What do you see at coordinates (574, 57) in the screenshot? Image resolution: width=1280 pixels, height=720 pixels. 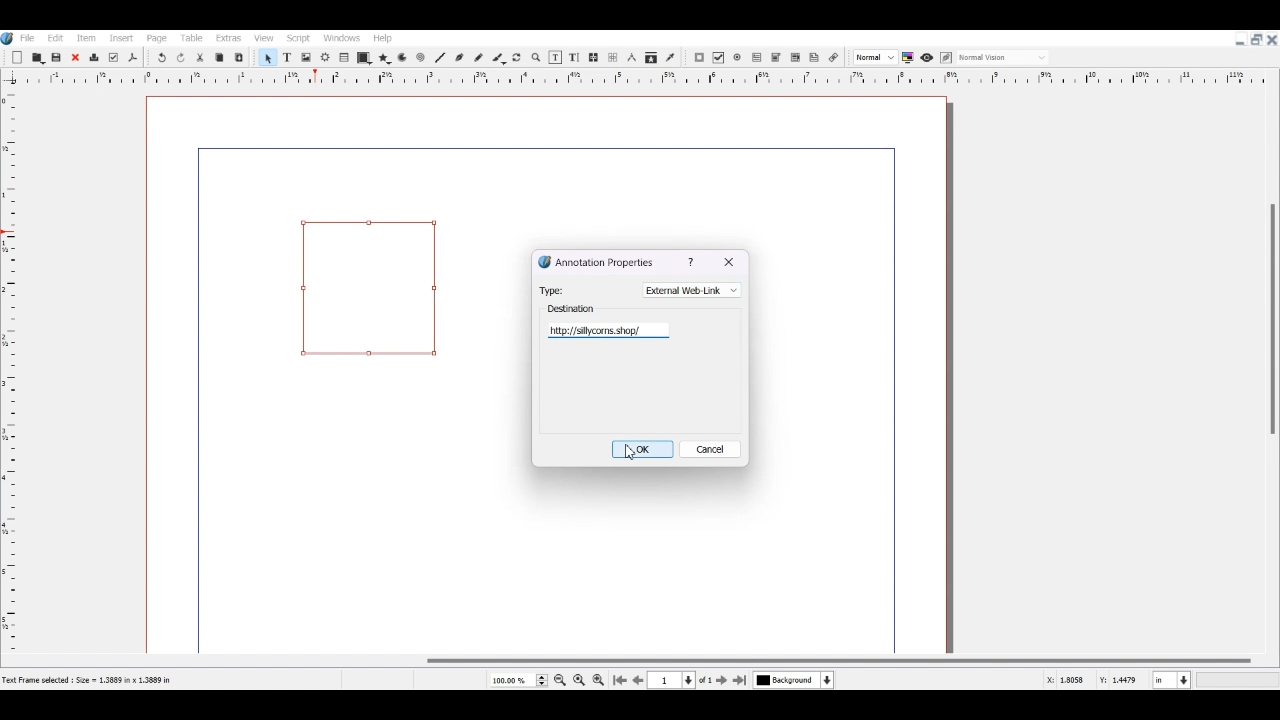 I see `Edit Text` at bounding box center [574, 57].